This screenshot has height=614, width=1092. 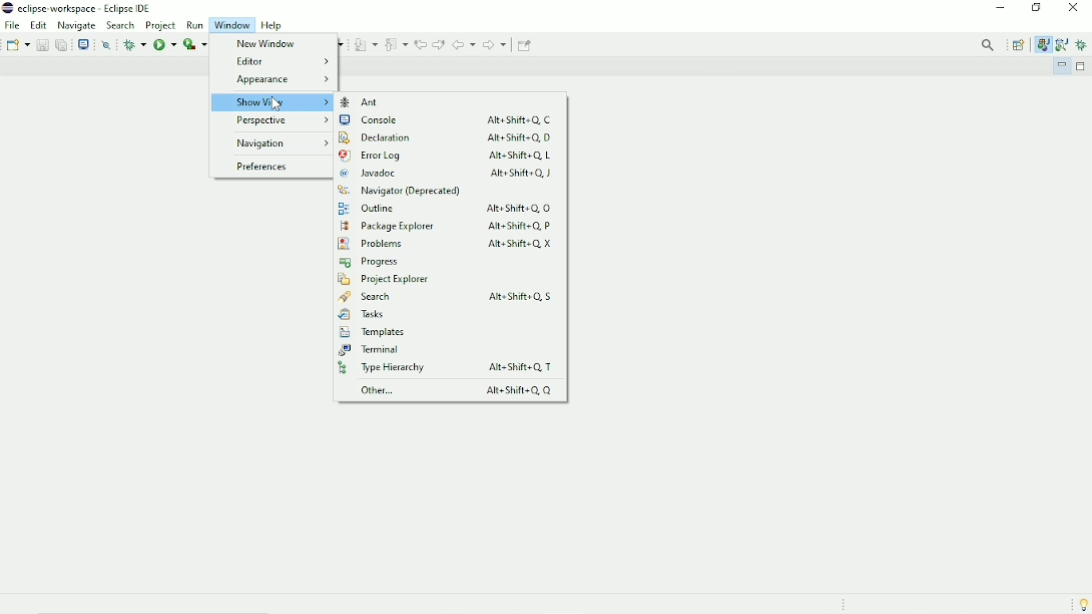 What do you see at coordinates (194, 25) in the screenshot?
I see `Run` at bounding box center [194, 25].